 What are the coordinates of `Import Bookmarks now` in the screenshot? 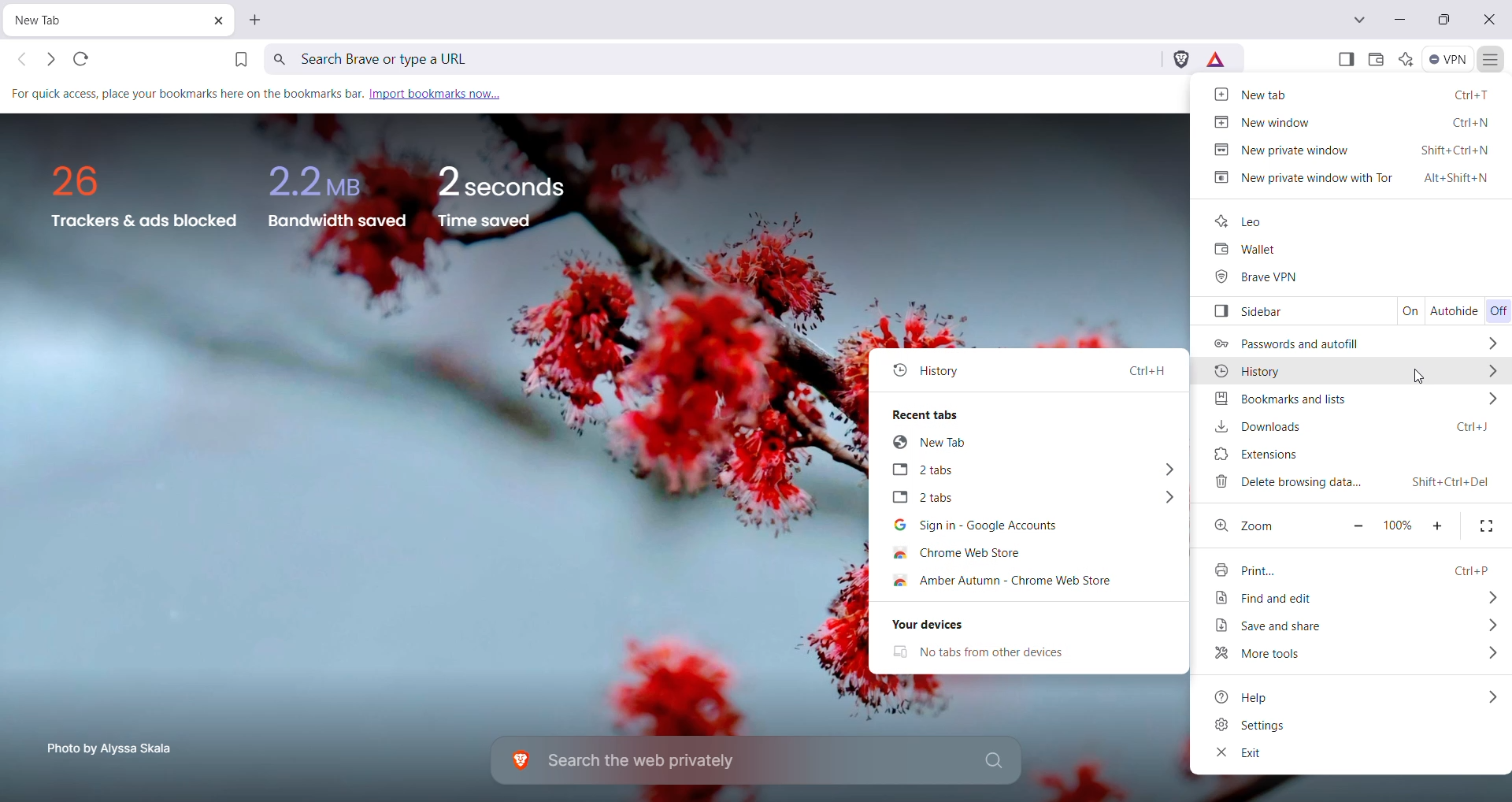 It's located at (435, 92).